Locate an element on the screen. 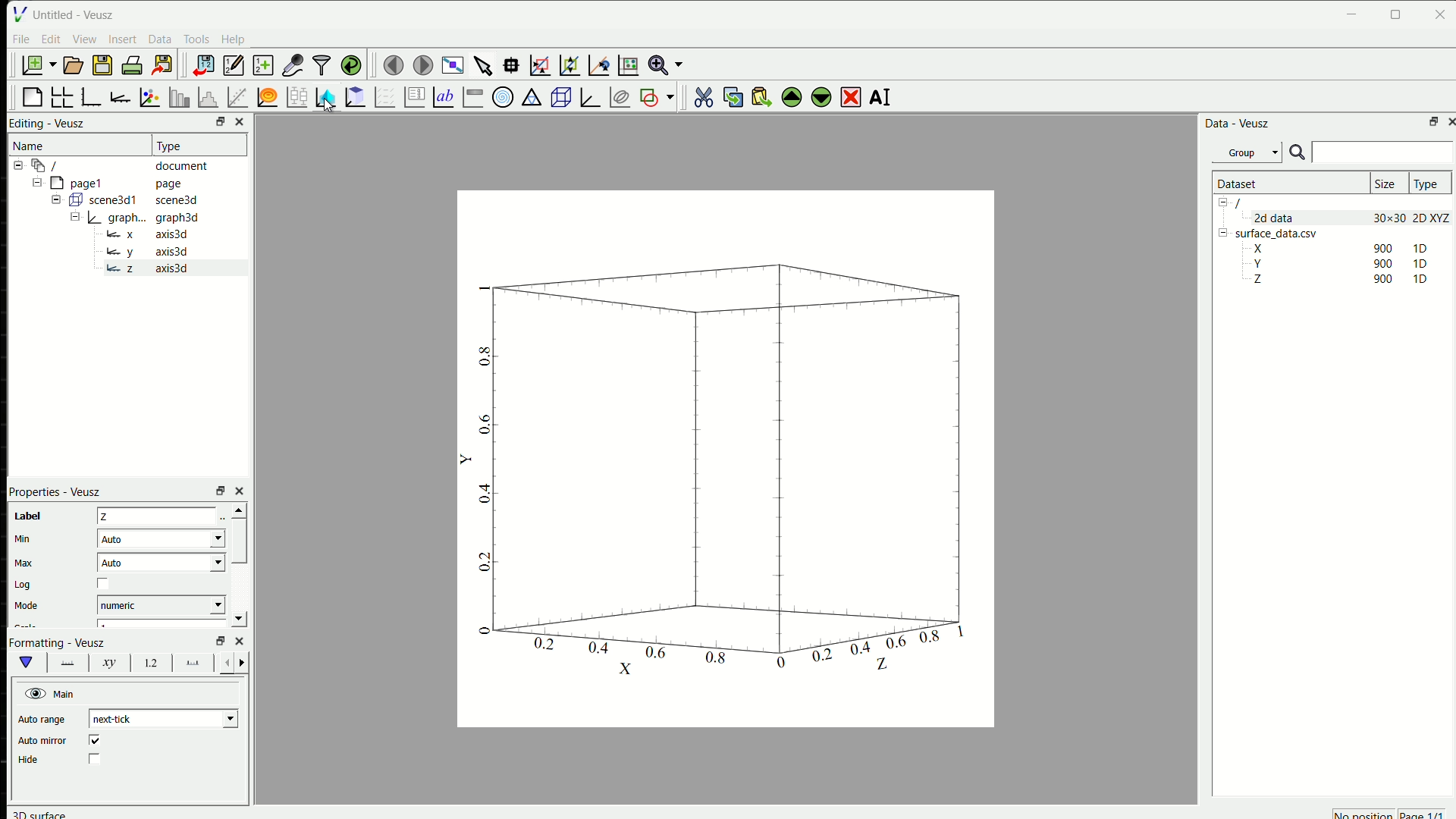 The width and height of the screenshot is (1456, 819). open in separate window is located at coordinates (221, 121).